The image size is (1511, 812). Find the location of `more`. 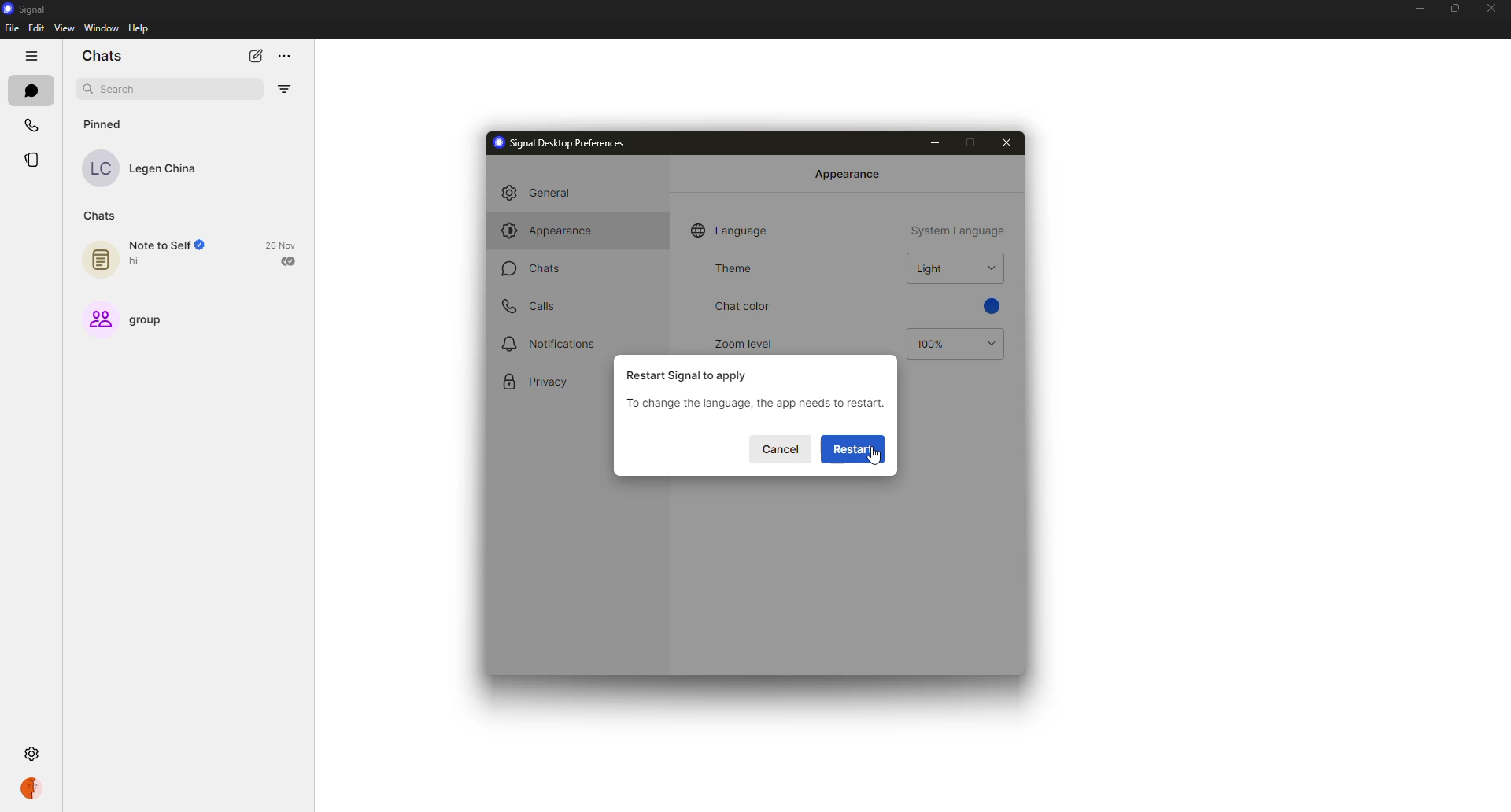

more is located at coordinates (285, 57).